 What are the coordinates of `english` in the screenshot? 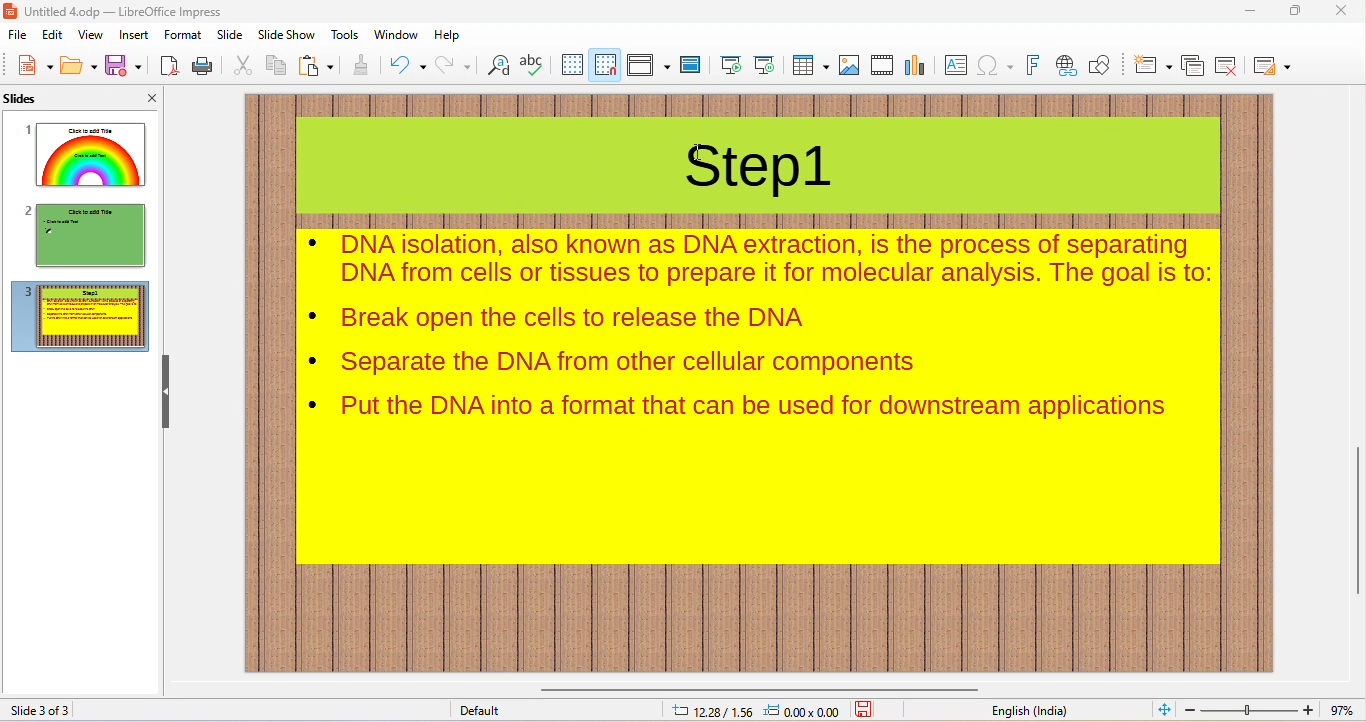 It's located at (1025, 711).